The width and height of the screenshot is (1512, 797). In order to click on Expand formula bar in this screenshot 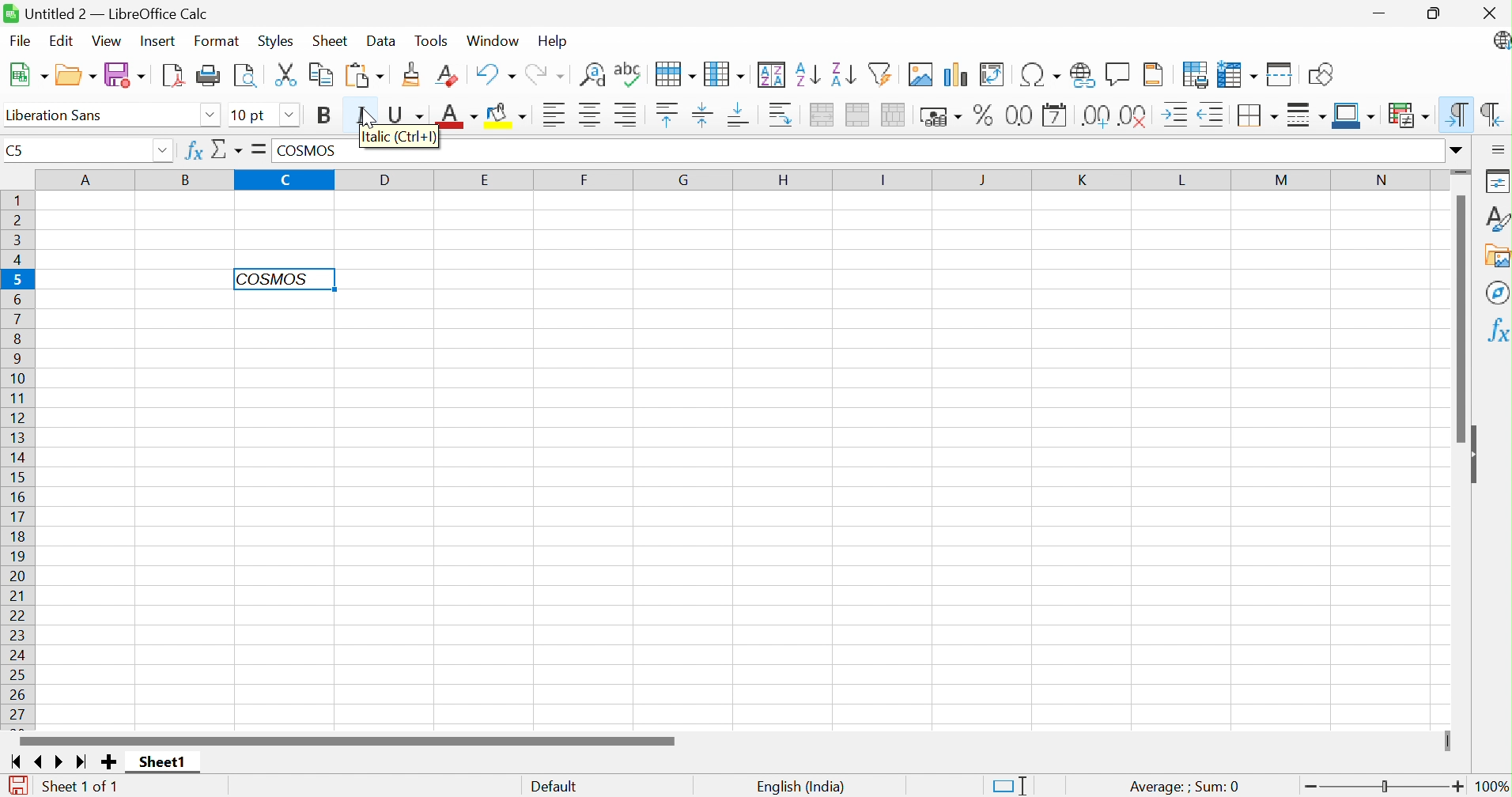, I will do `click(1461, 150)`.